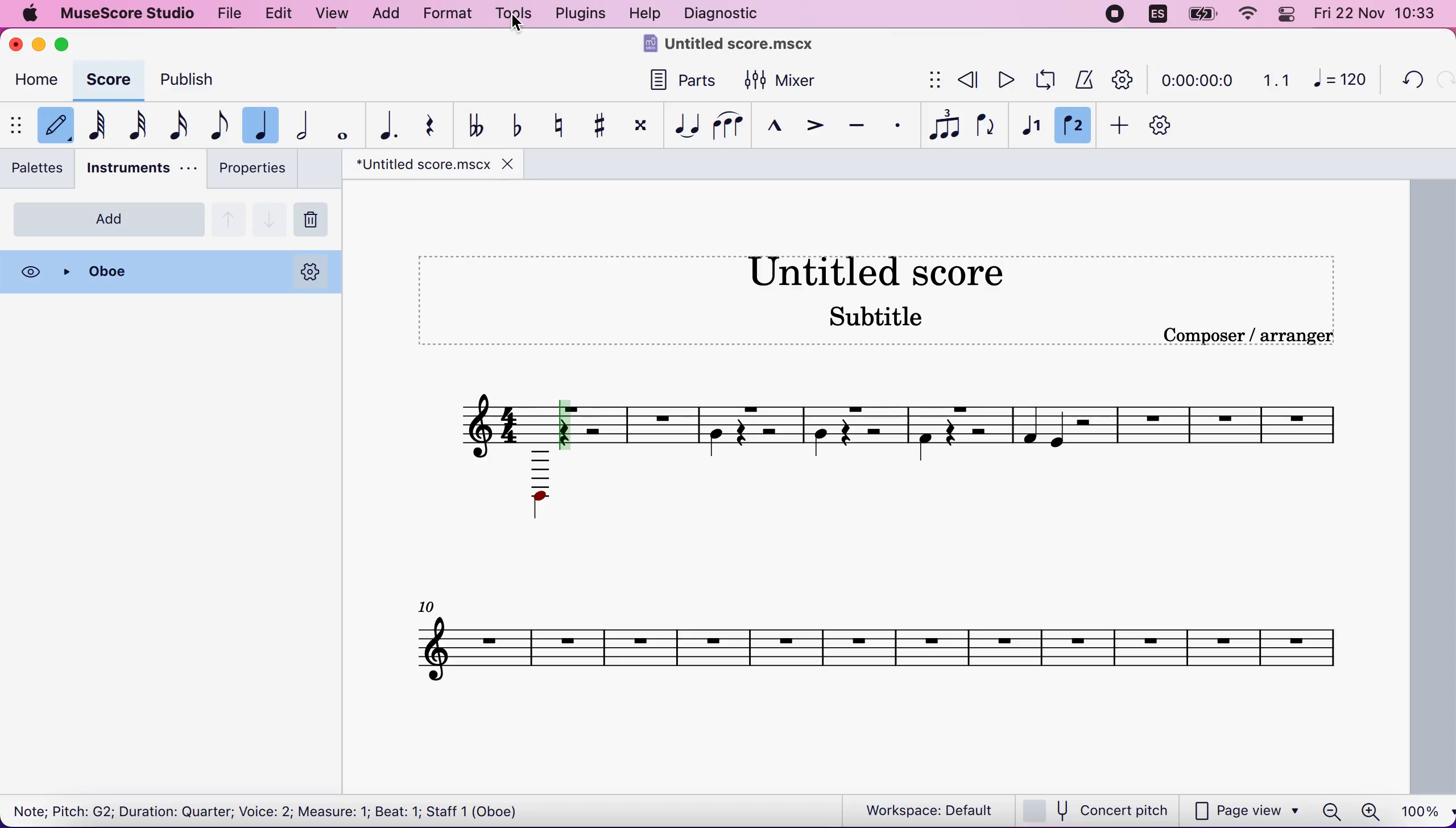  I want to click on view, so click(336, 16).